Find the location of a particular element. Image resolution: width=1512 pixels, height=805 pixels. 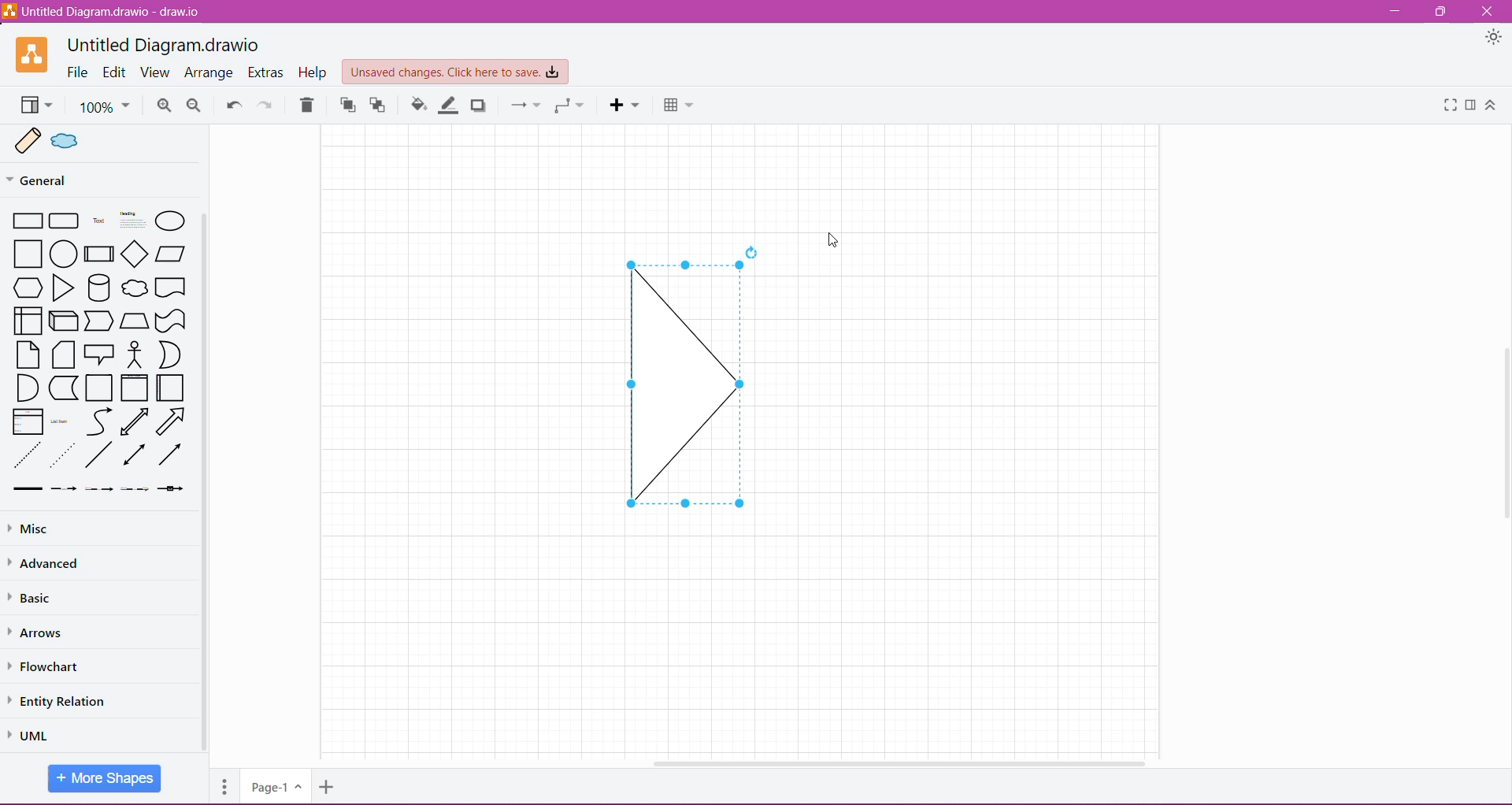

Misc is located at coordinates (71, 529).